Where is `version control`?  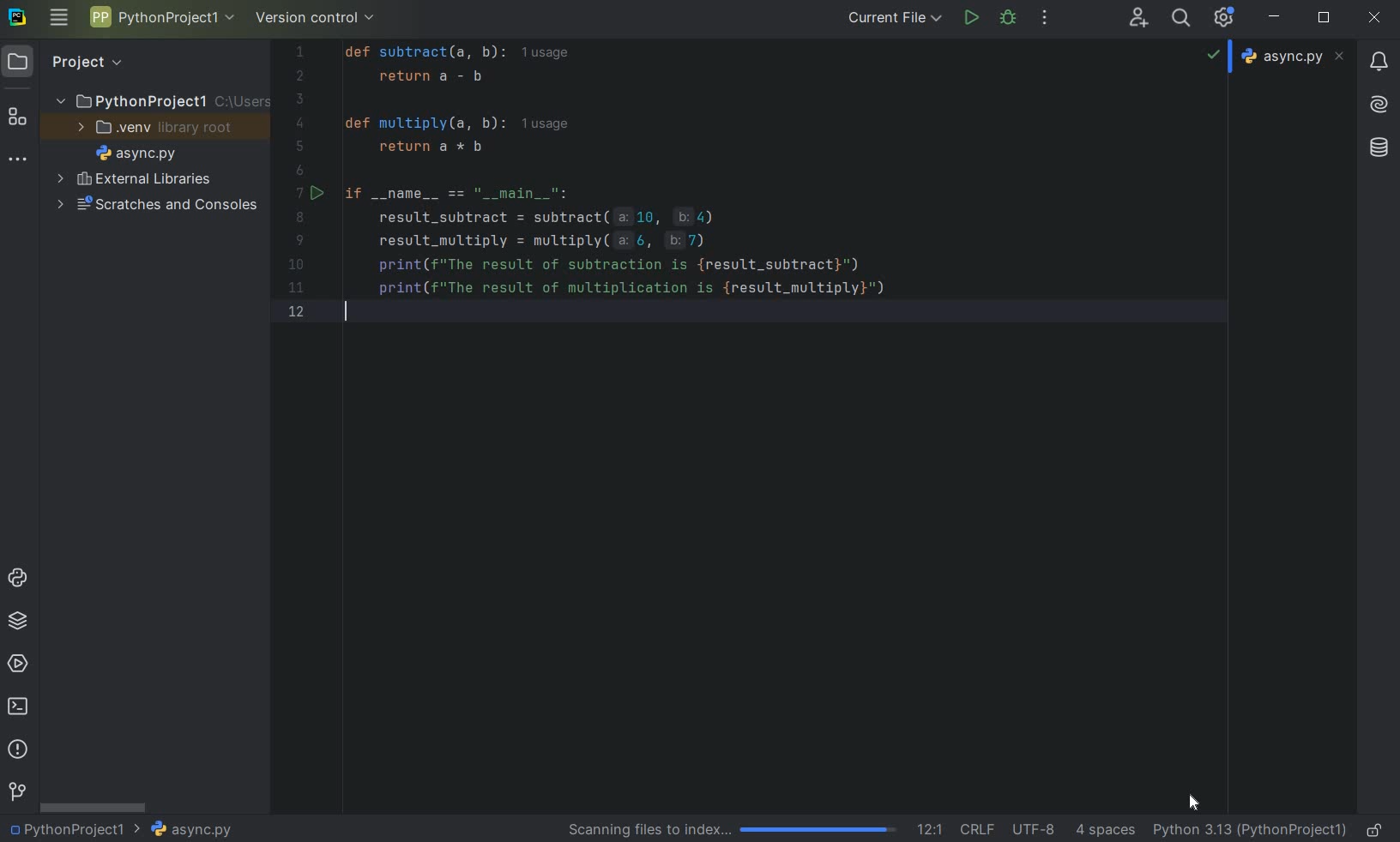 version control is located at coordinates (316, 18).